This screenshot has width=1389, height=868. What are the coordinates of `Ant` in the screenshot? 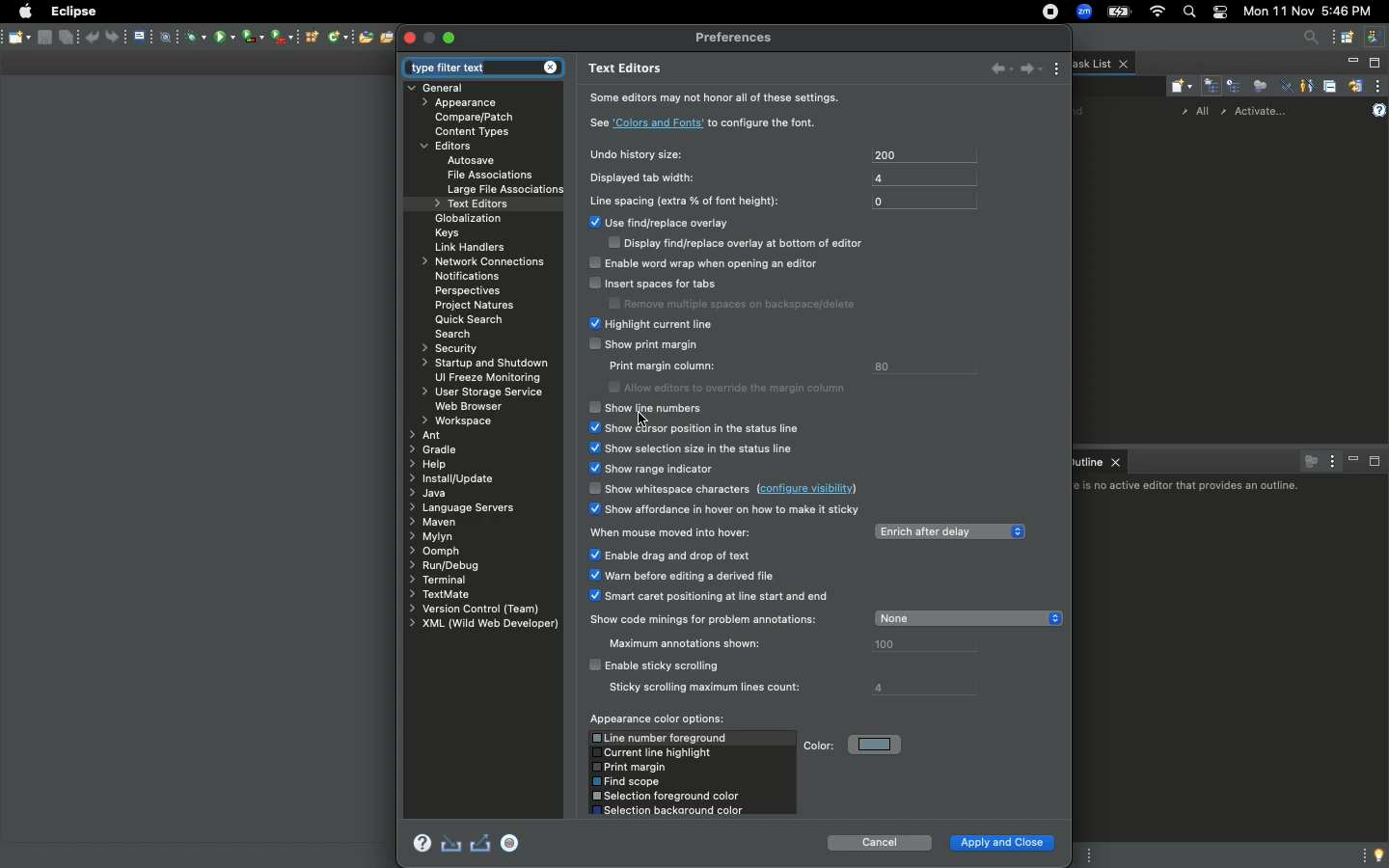 It's located at (427, 434).